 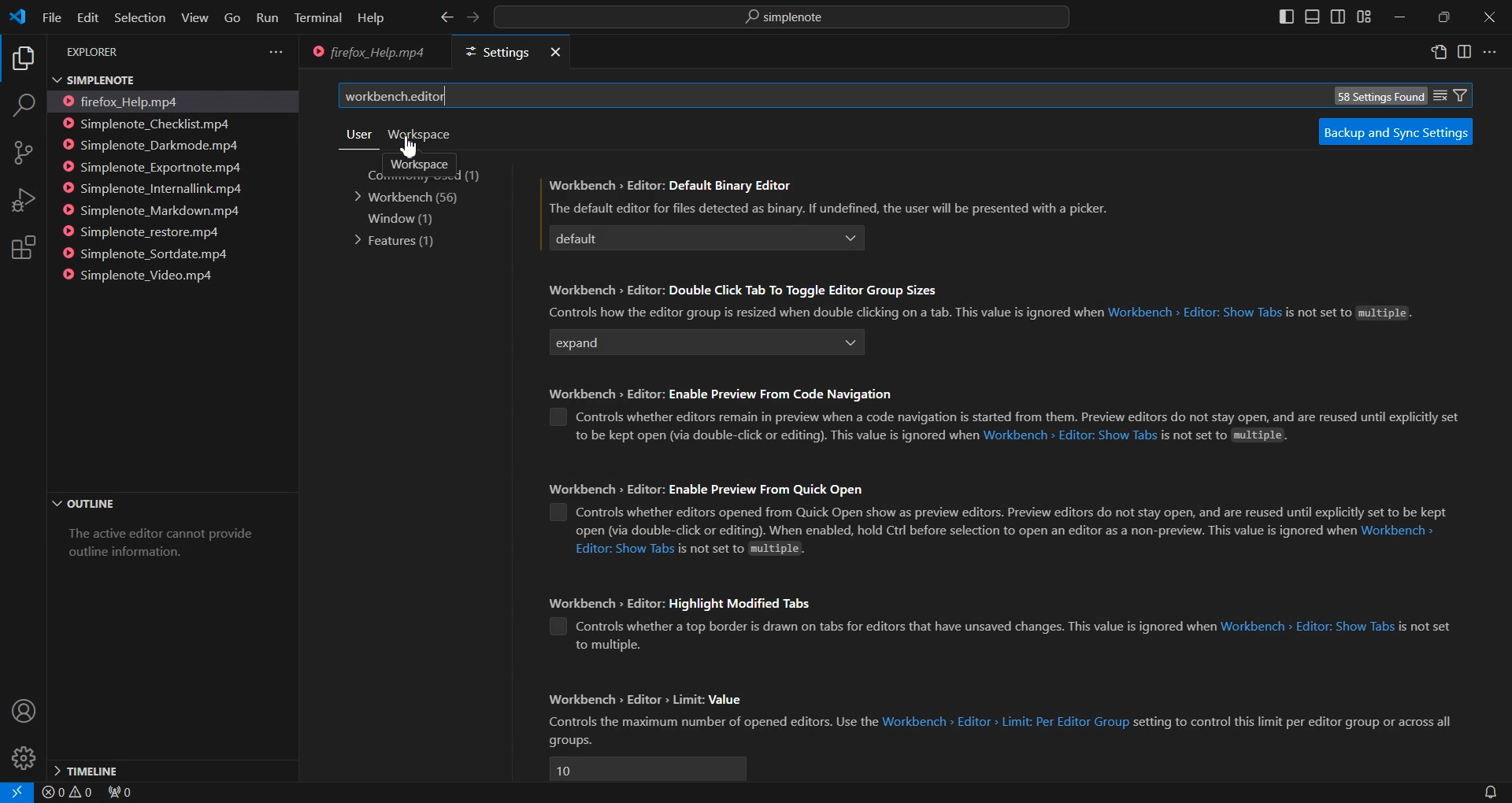 I want to click on Workbench > Editor: Default Binary Editor, so click(x=673, y=184).